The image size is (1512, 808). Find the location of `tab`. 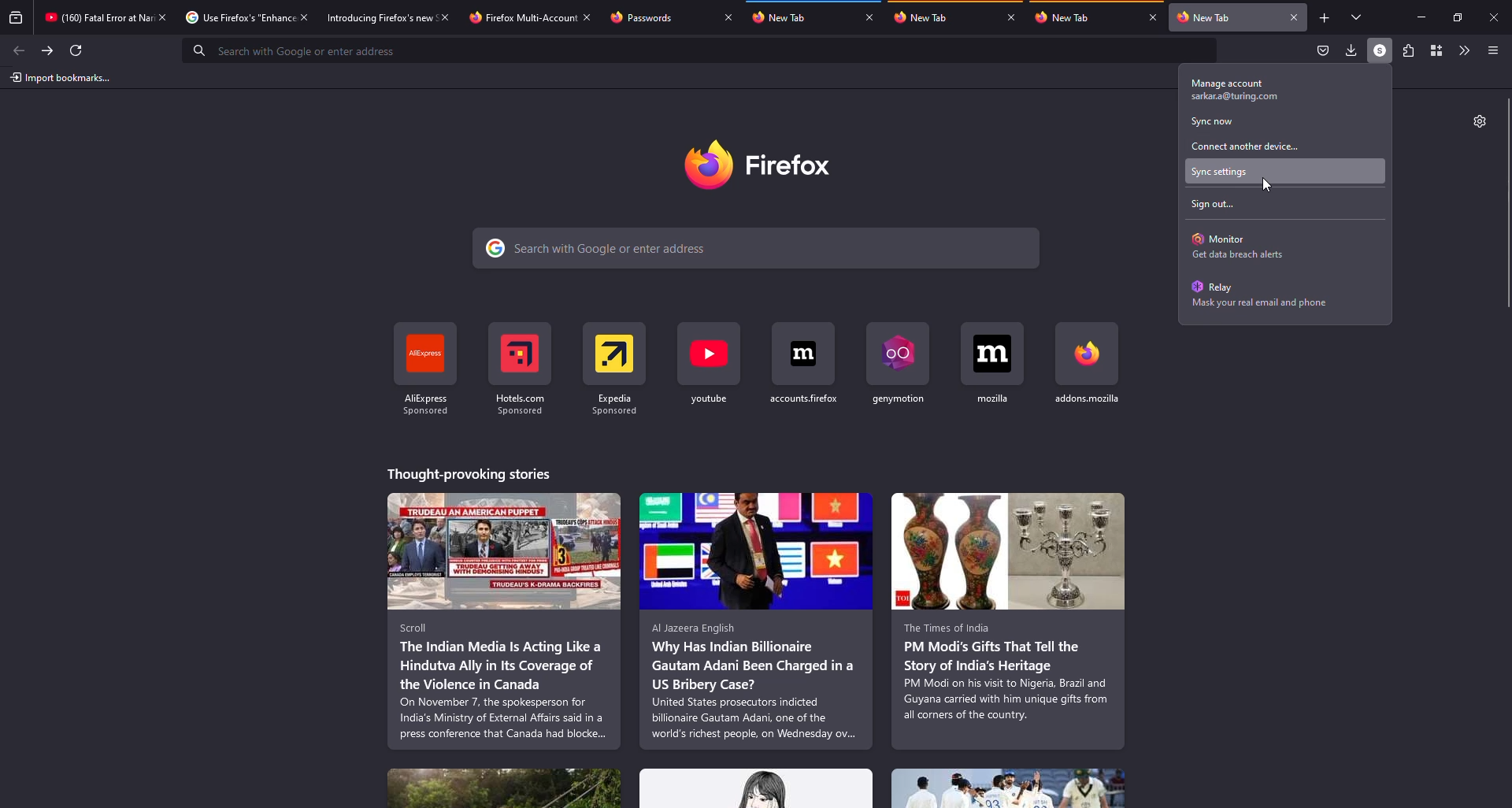

tab is located at coordinates (781, 17).